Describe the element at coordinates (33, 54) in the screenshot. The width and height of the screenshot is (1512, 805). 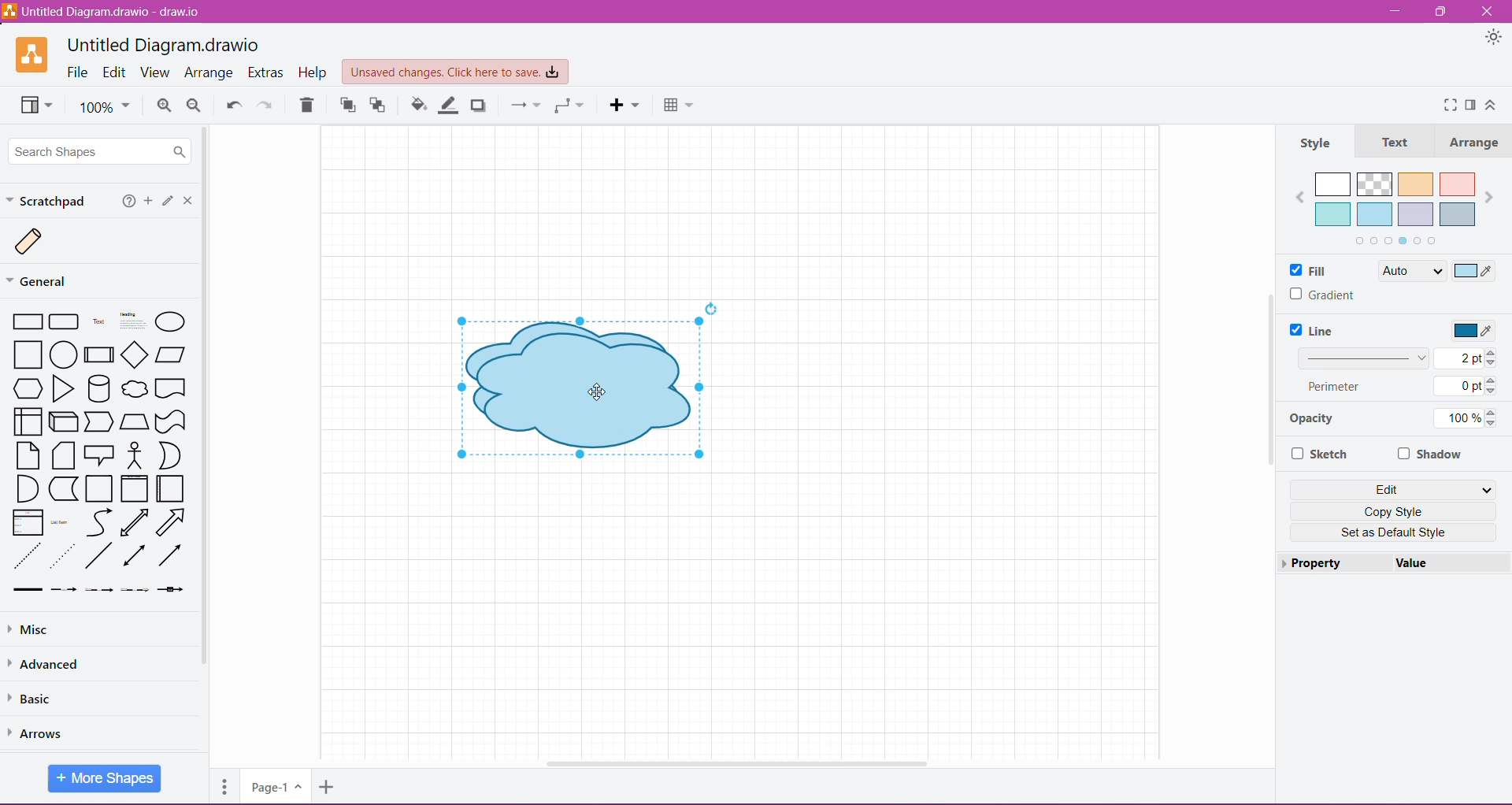
I see `Application Logo` at that location.